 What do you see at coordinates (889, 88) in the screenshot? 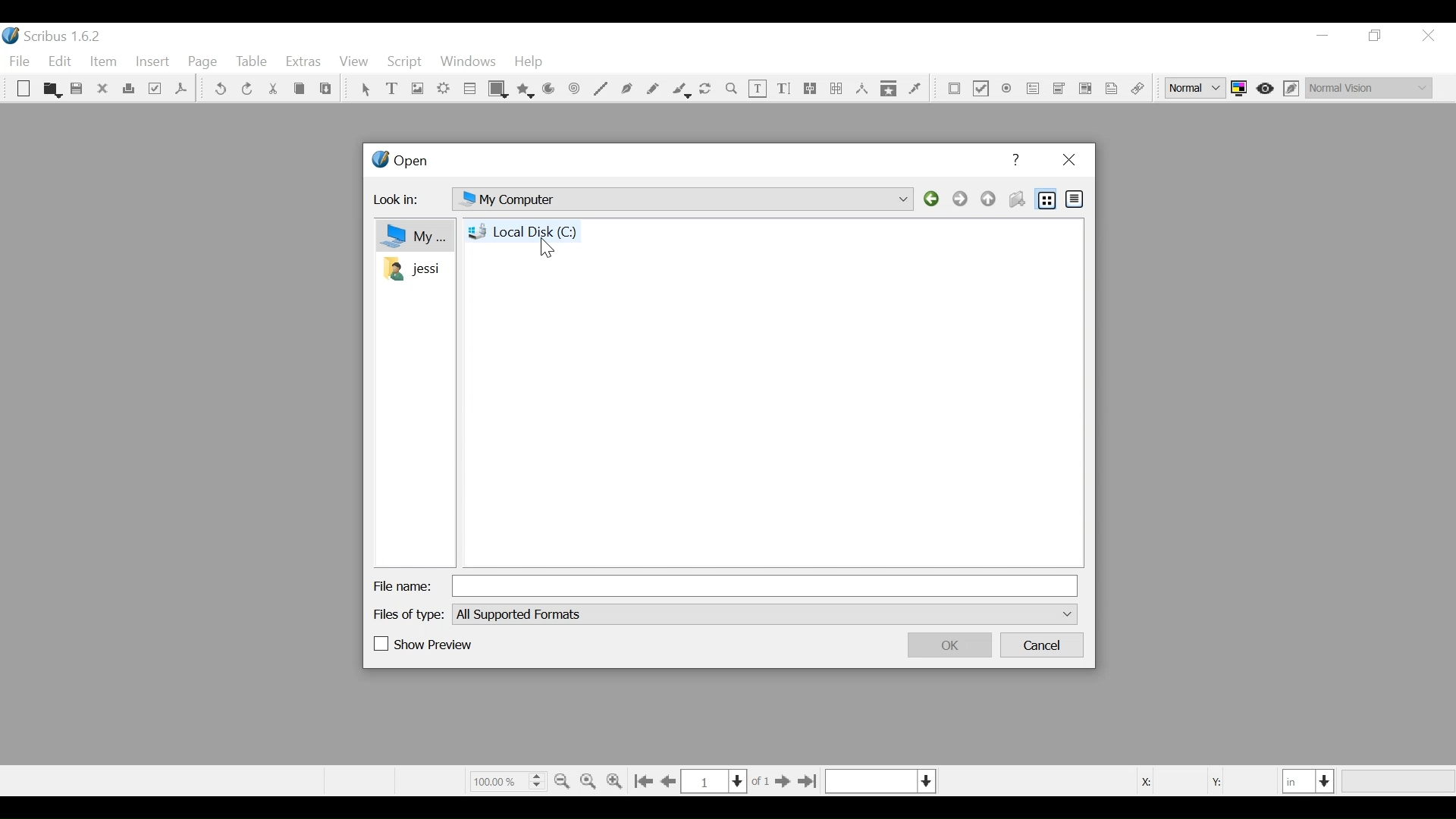
I see `Copy Item properties` at bounding box center [889, 88].